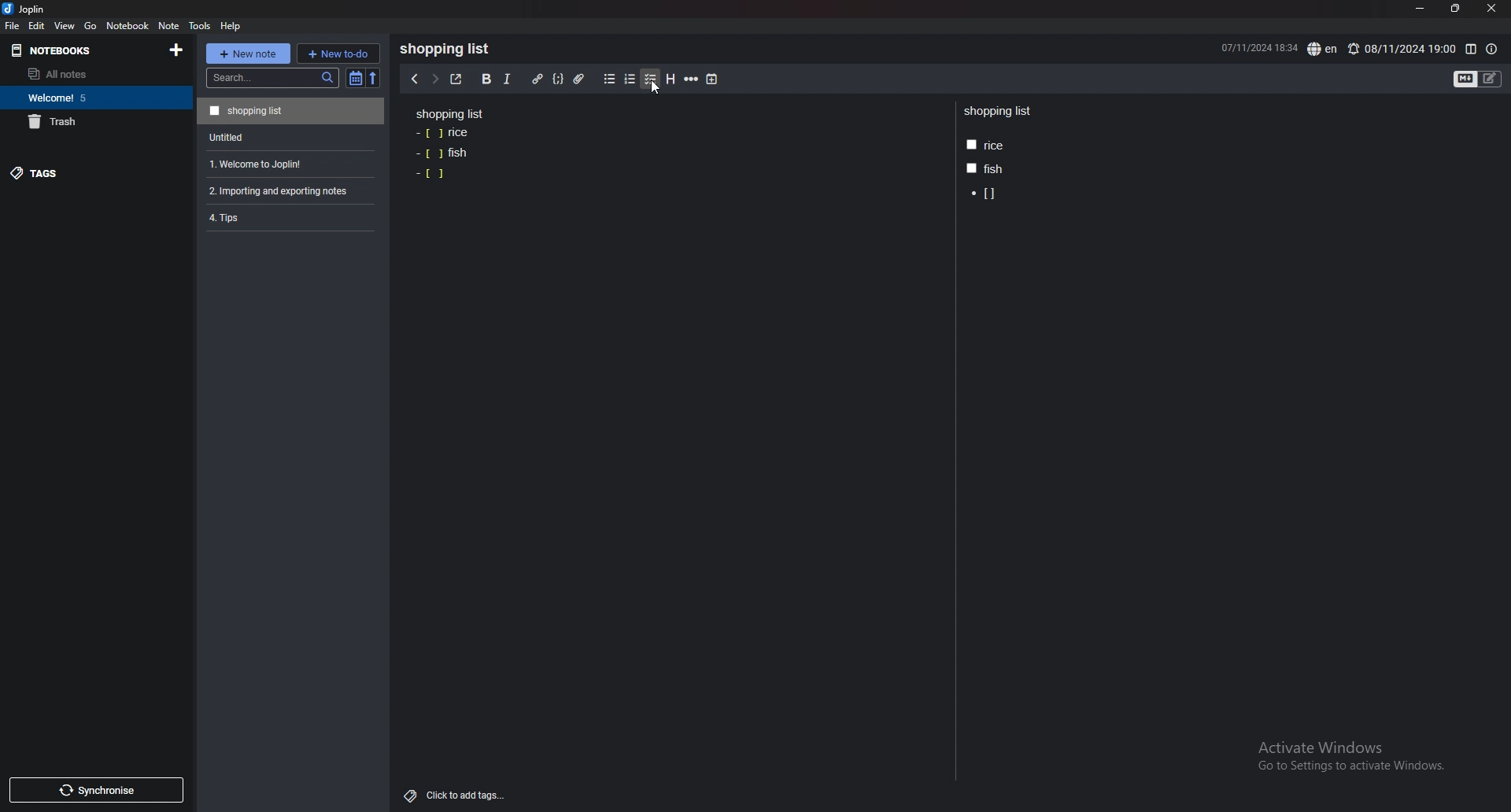  Describe the element at coordinates (290, 110) in the screenshot. I see `Shopping list` at that location.